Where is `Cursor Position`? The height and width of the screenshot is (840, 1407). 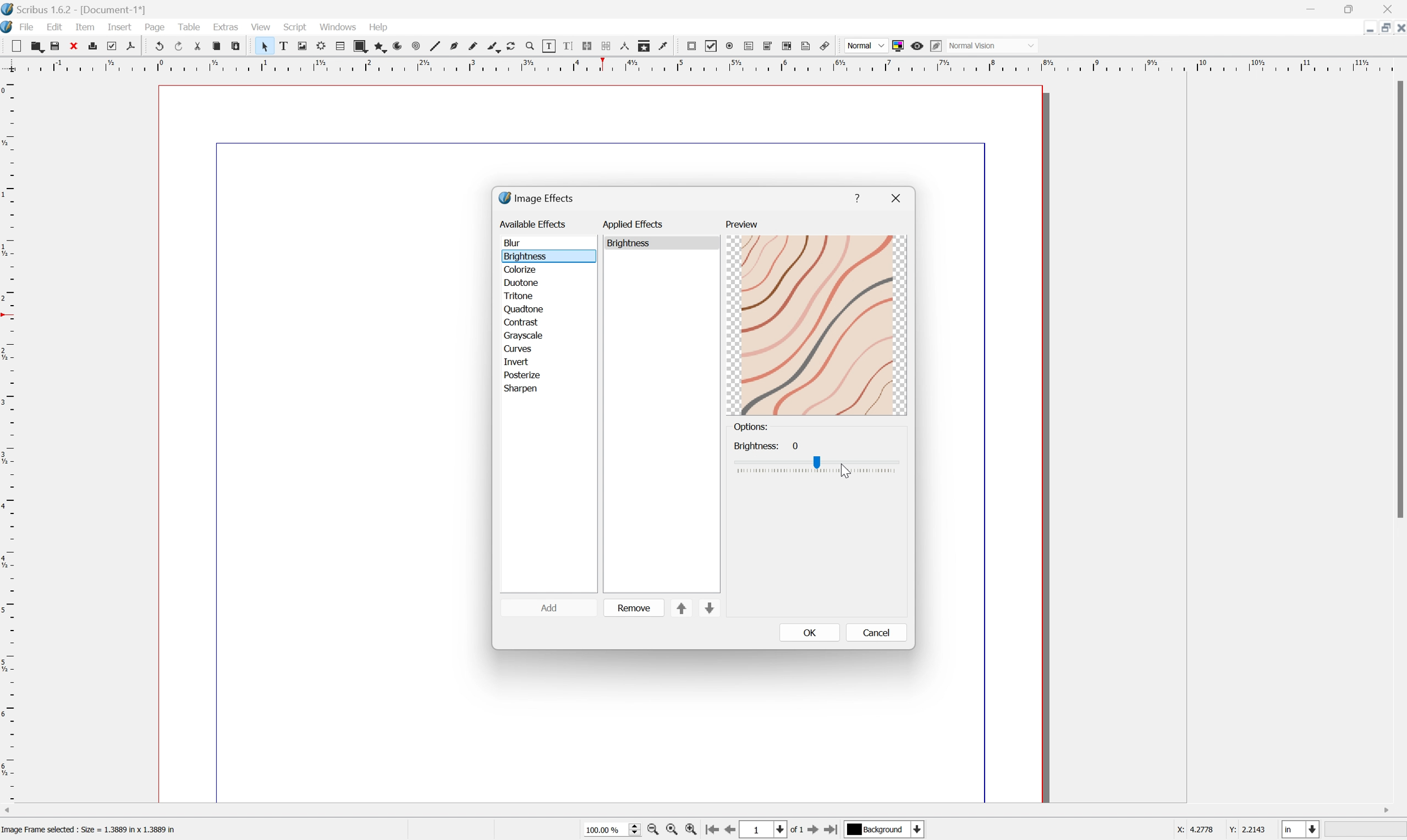
Cursor Position is located at coordinates (845, 472).